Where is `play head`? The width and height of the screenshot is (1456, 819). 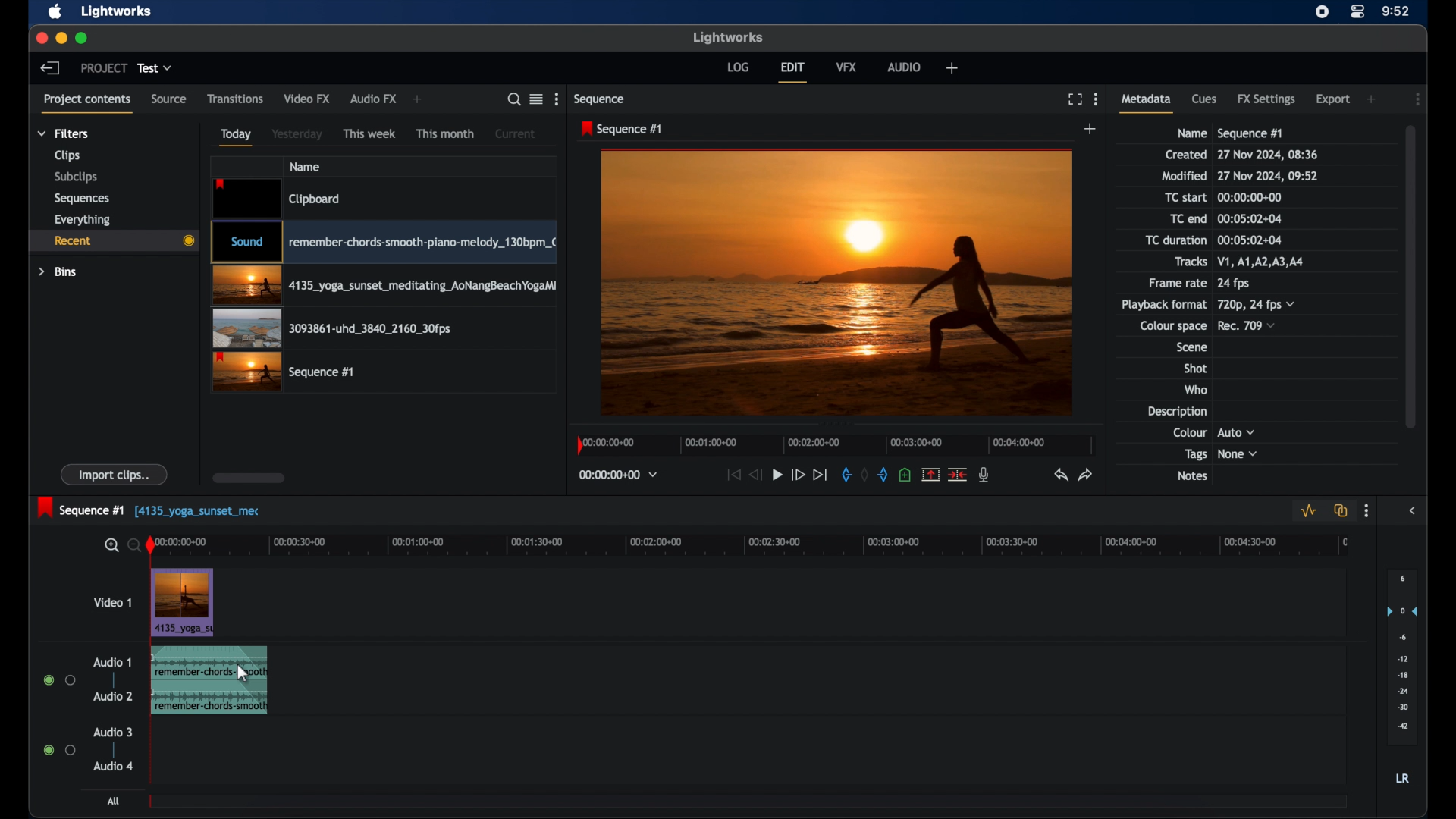 play head is located at coordinates (151, 546).